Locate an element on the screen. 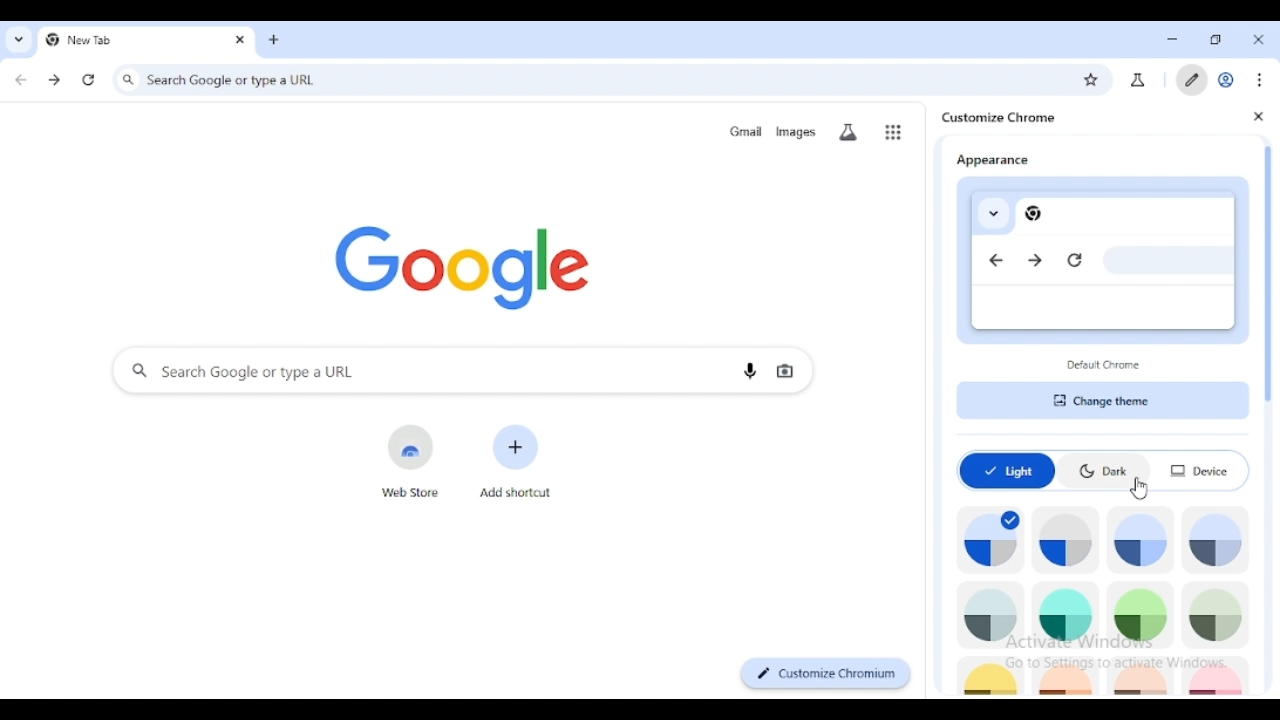 This screenshot has width=1280, height=720. previous is located at coordinates (1000, 262).